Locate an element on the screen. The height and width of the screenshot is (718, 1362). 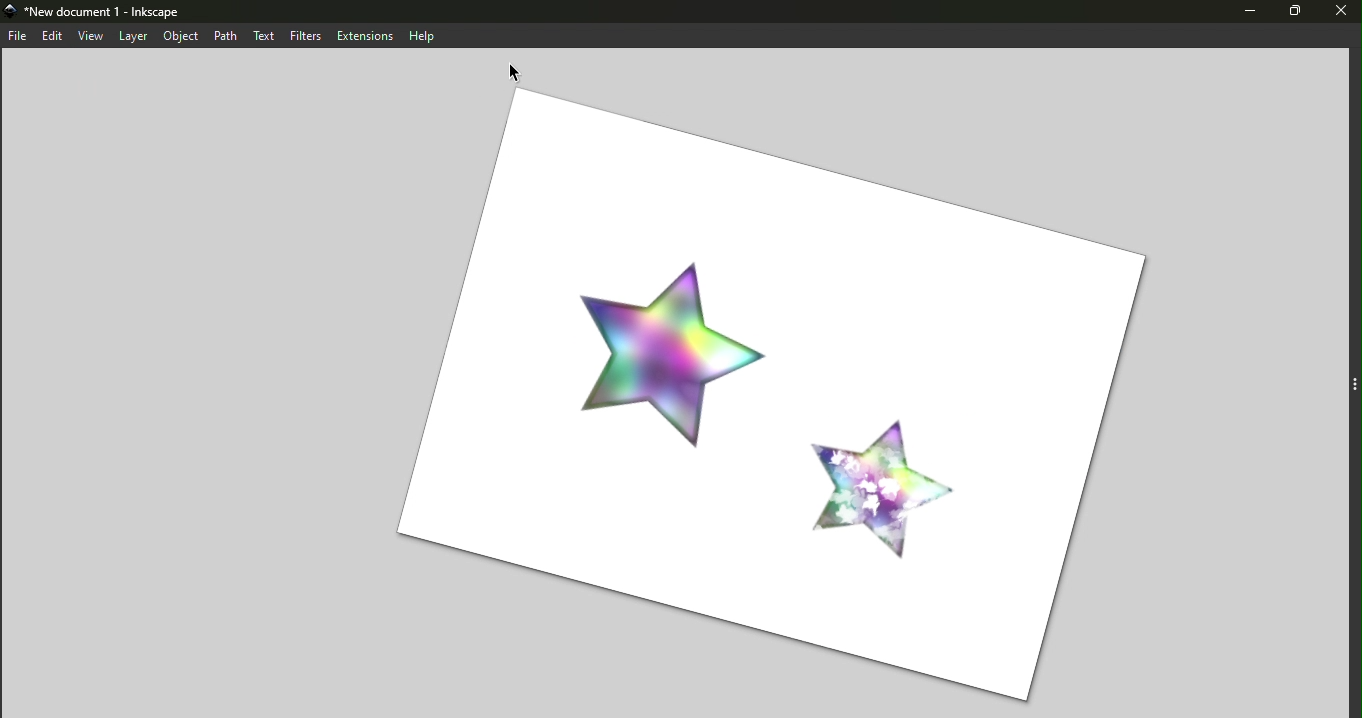
Path is located at coordinates (224, 35).